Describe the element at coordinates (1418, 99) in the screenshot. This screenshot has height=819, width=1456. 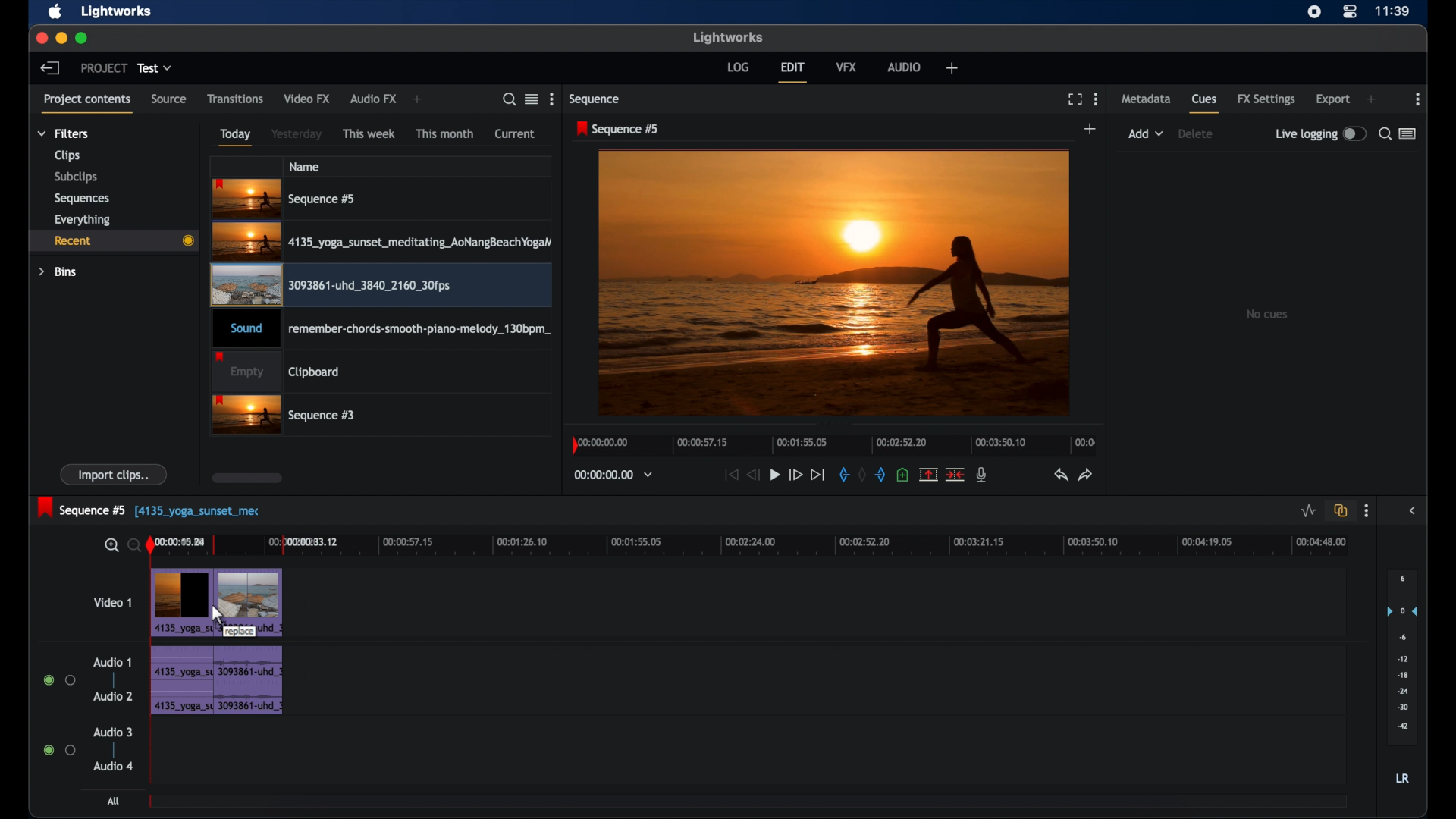
I see `moreoptions` at that location.